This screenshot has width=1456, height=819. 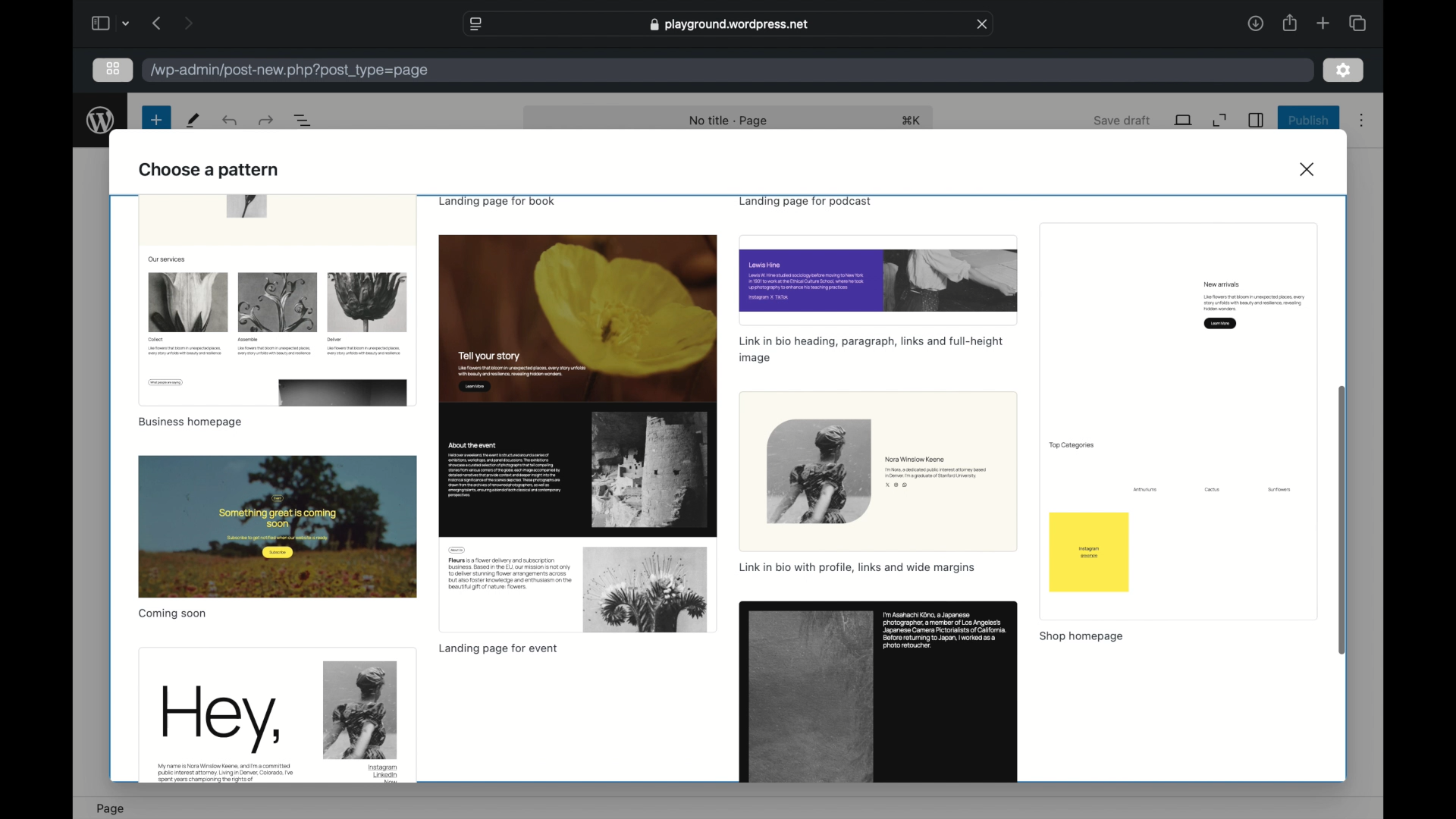 I want to click on redo, so click(x=229, y=121).